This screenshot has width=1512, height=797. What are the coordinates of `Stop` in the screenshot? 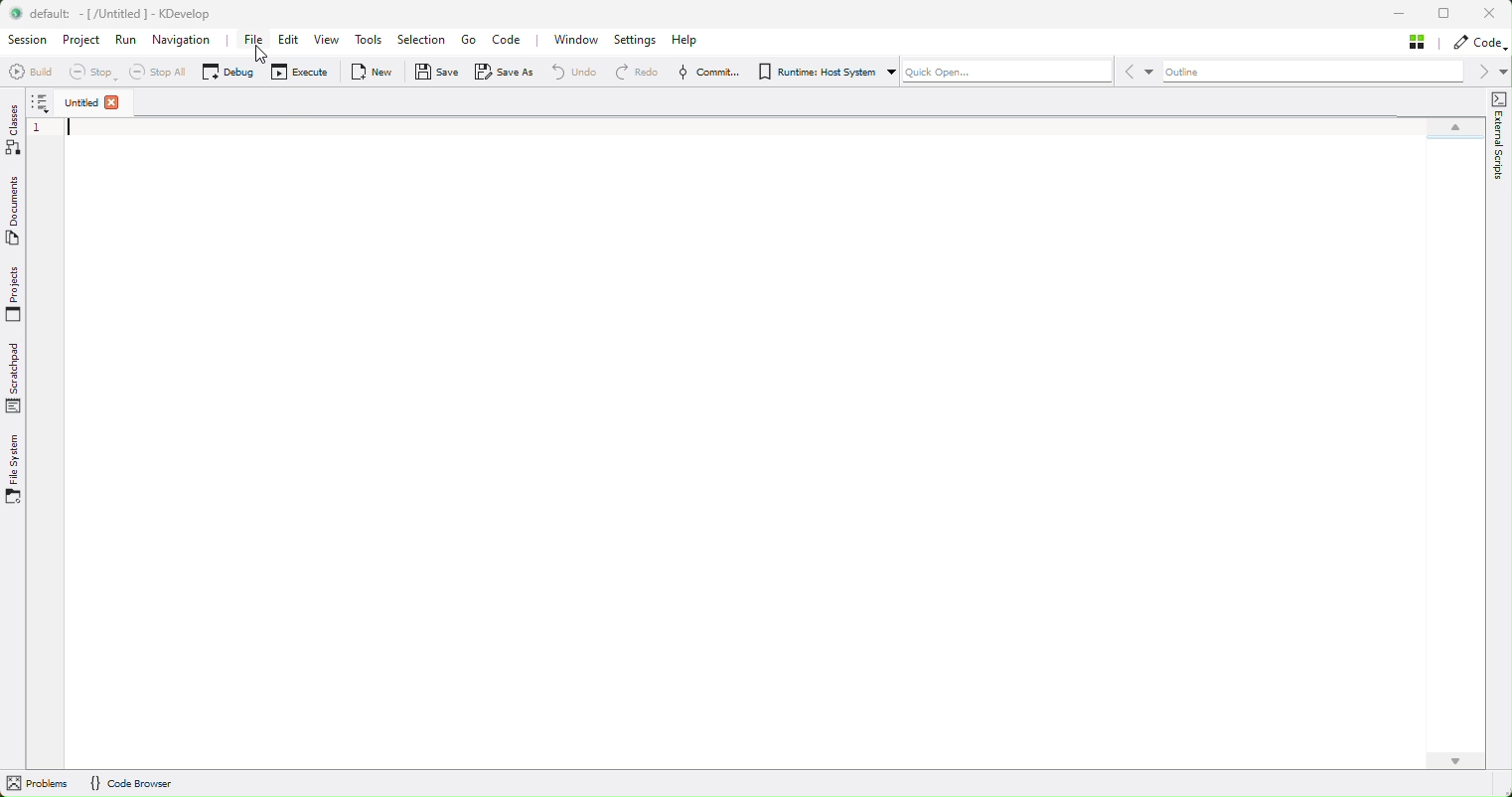 It's located at (99, 73).